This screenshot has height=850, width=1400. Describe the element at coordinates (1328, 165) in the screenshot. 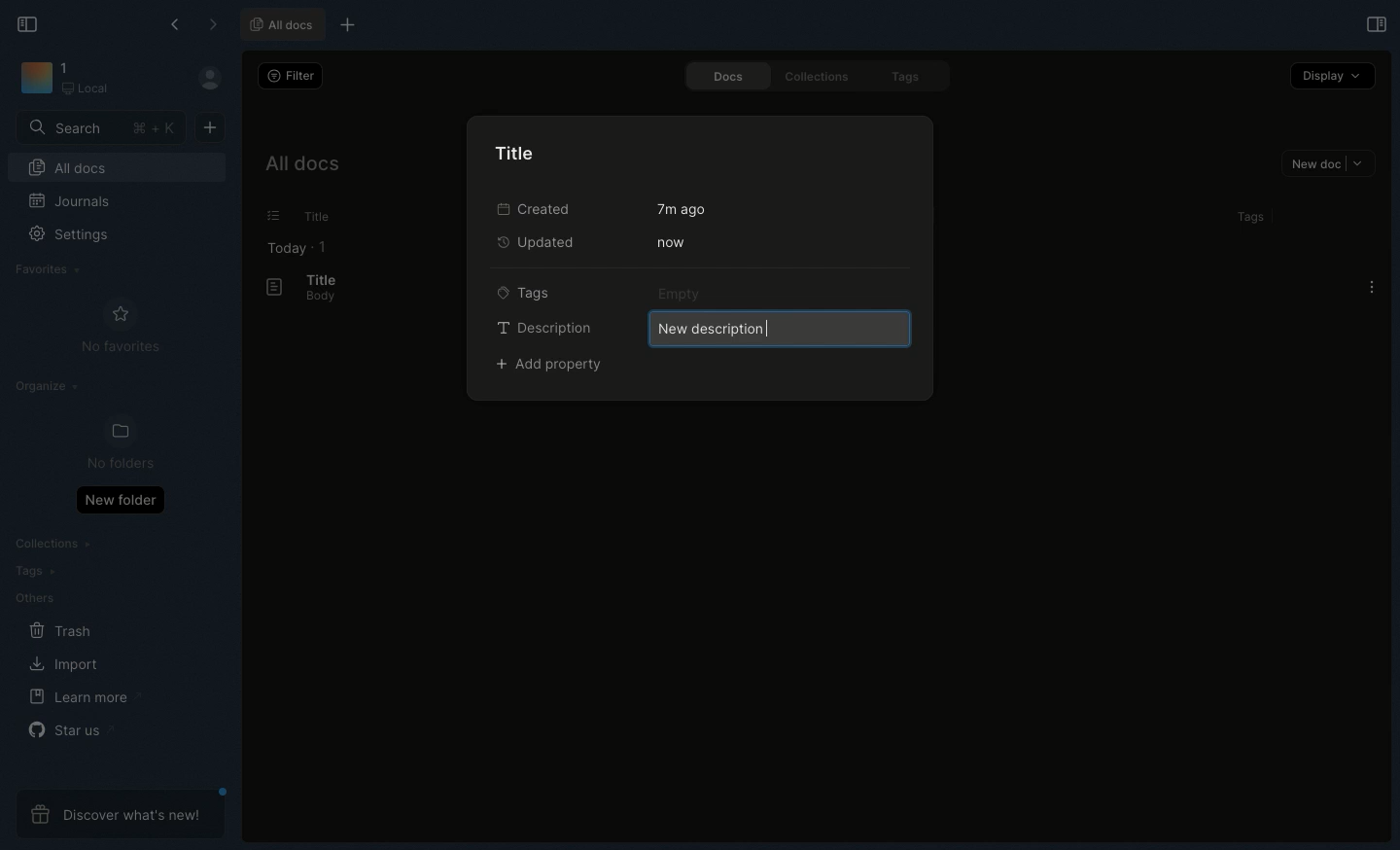

I see `New doc` at that location.